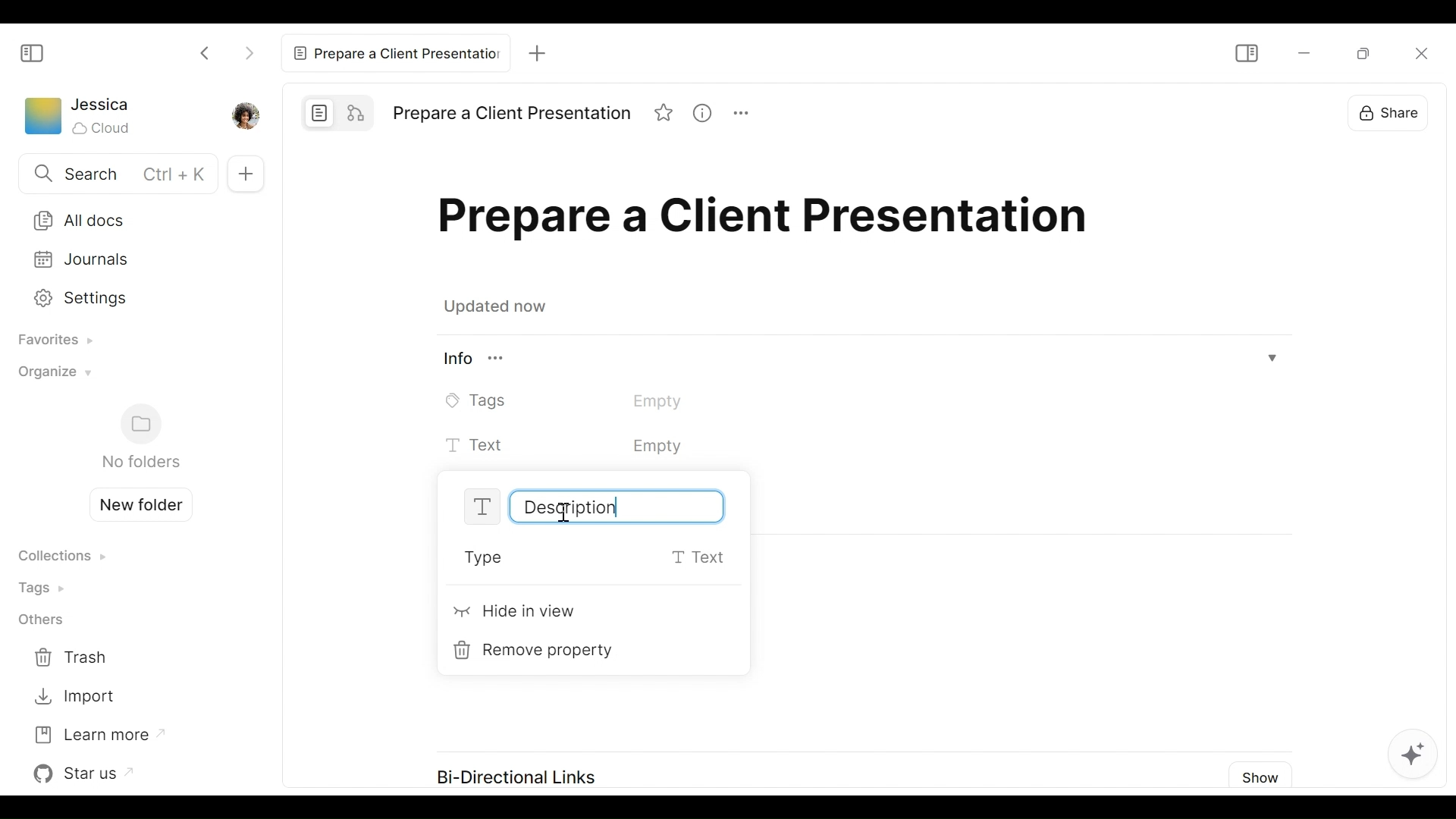 The width and height of the screenshot is (1456, 819). What do you see at coordinates (1416, 755) in the screenshot?
I see `AI` at bounding box center [1416, 755].